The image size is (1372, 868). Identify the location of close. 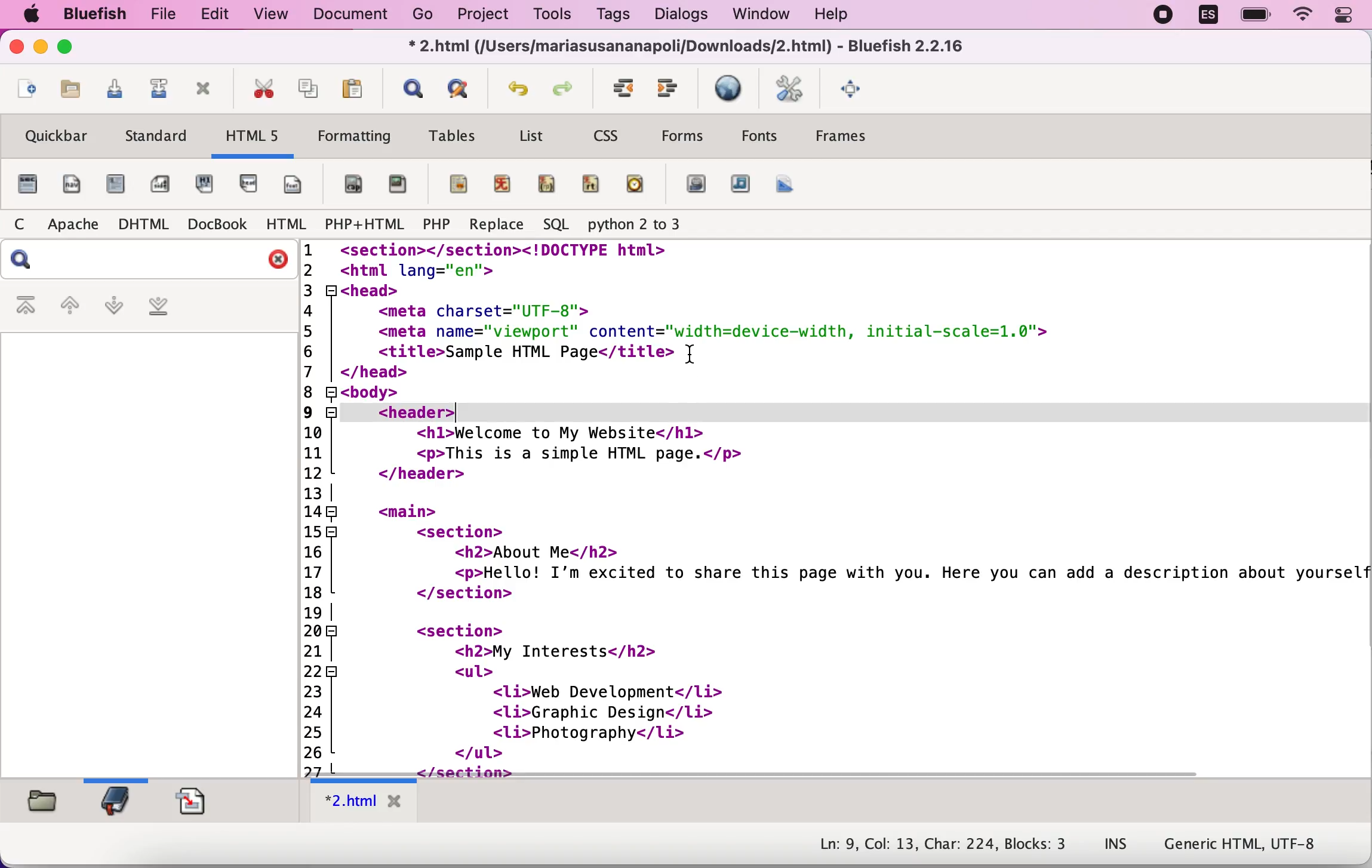
(16, 48).